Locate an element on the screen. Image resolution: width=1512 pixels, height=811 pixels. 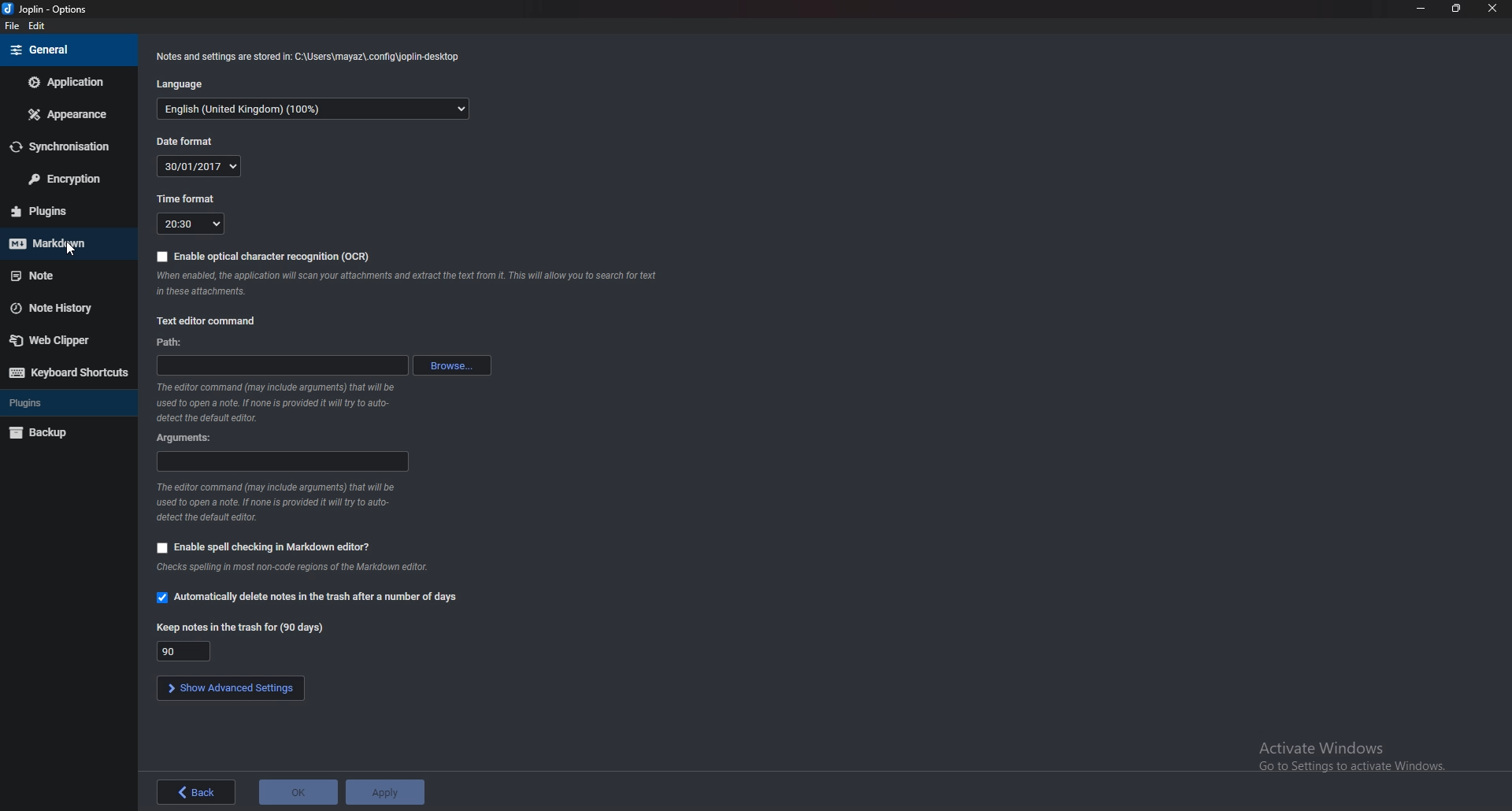
Application is located at coordinates (68, 81).